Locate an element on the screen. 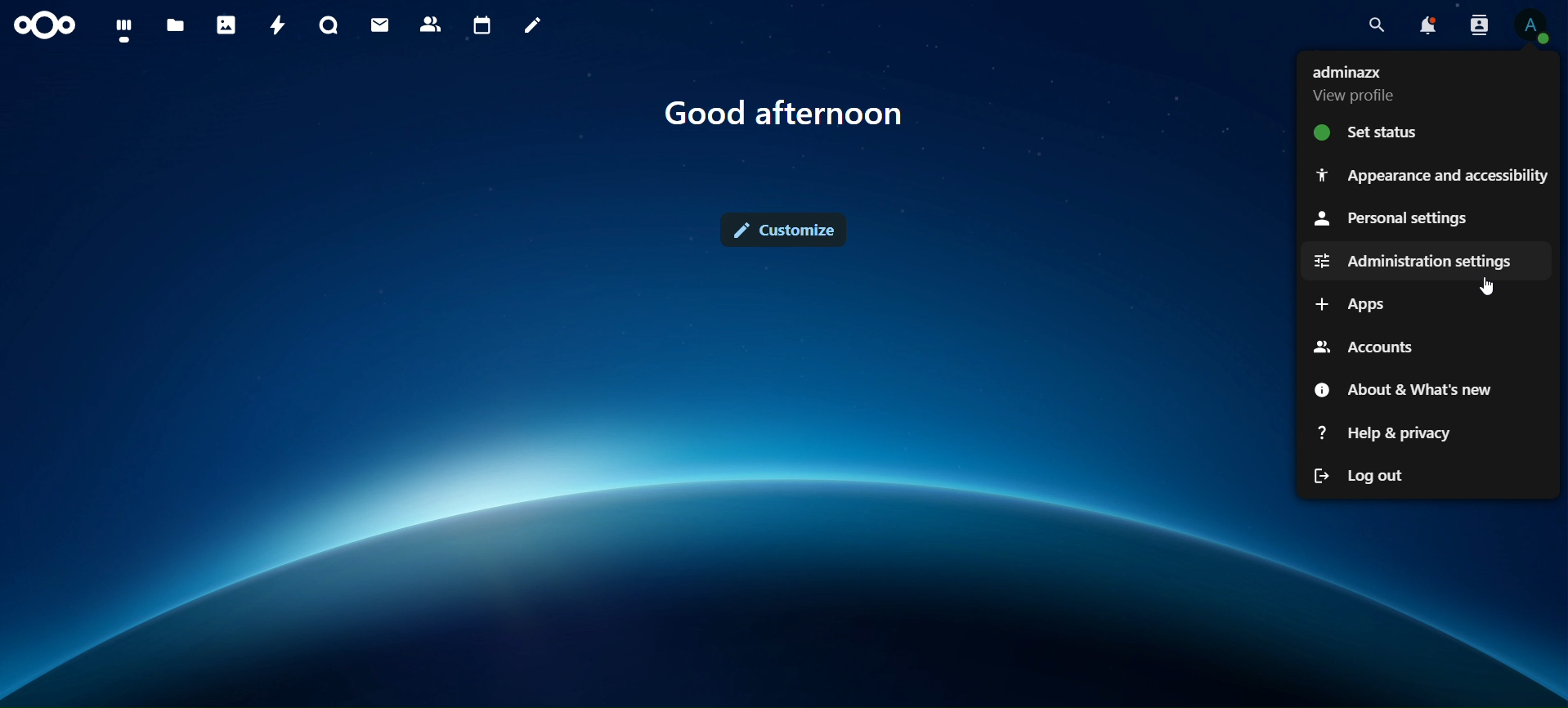  icon is located at coordinates (43, 25).